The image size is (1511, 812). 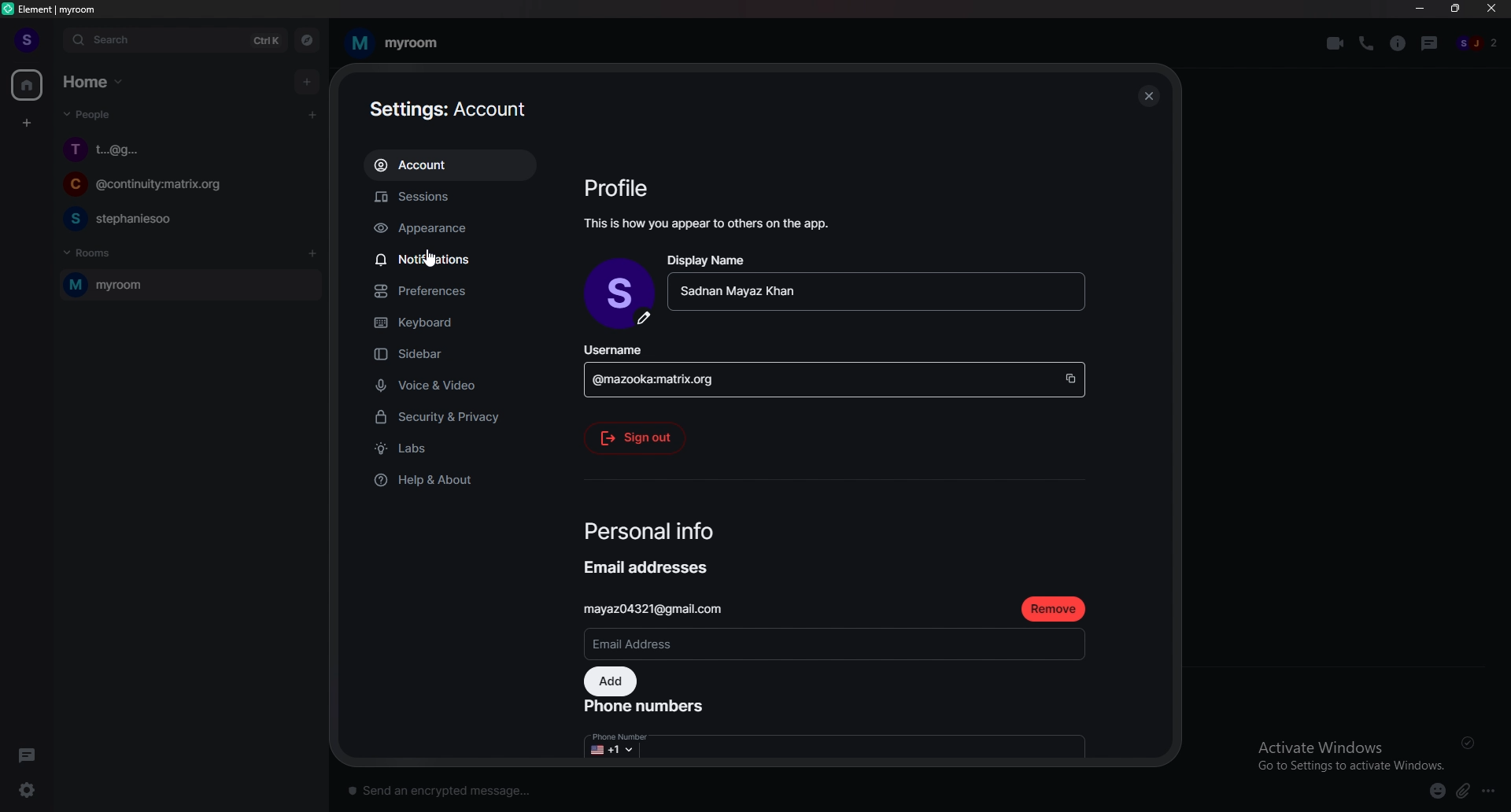 What do you see at coordinates (1057, 609) in the screenshot?
I see `remove` at bounding box center [1057, 609].